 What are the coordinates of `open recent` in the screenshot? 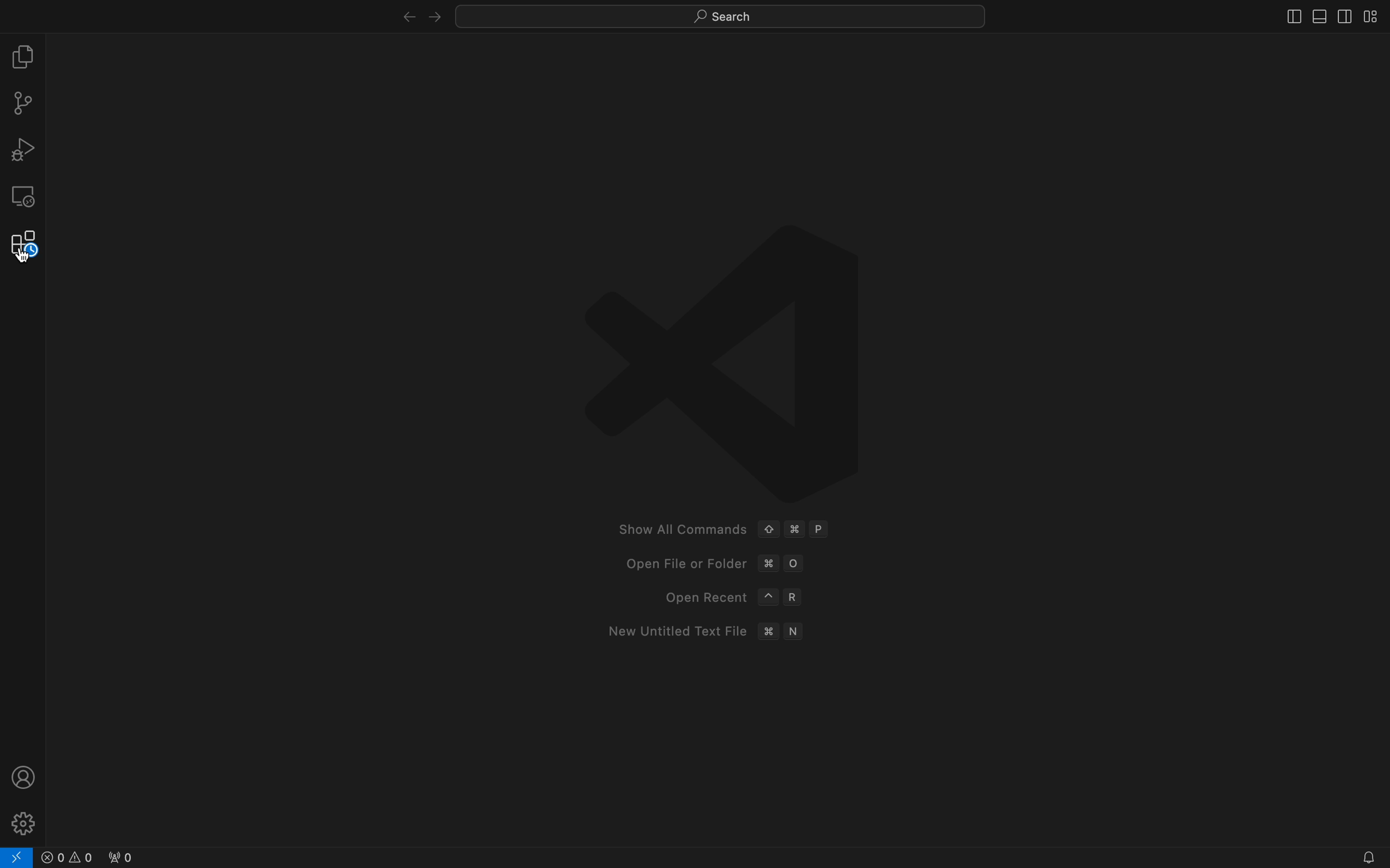 It's located at (731, 598).